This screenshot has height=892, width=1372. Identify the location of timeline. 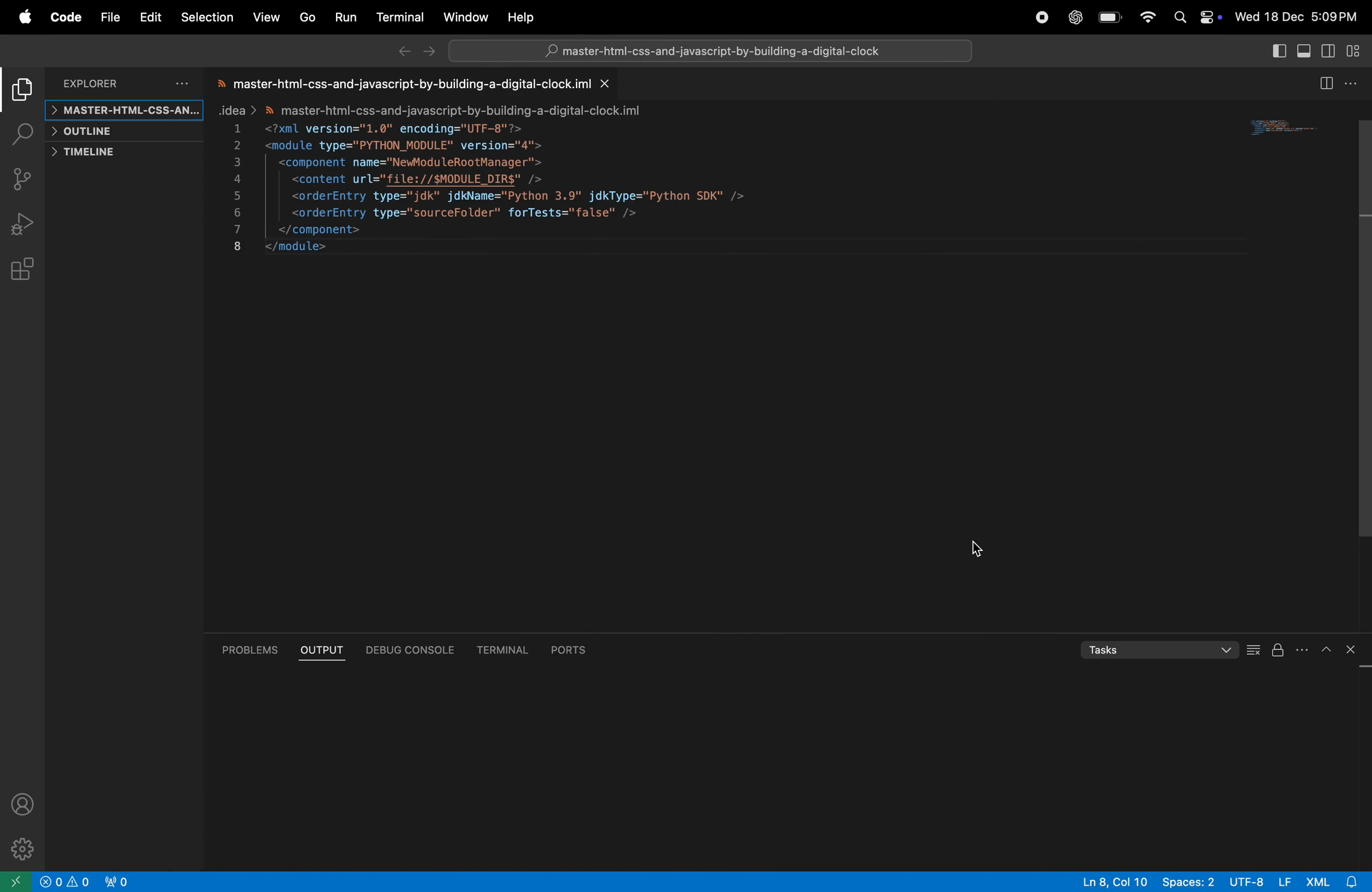
(118, 153).